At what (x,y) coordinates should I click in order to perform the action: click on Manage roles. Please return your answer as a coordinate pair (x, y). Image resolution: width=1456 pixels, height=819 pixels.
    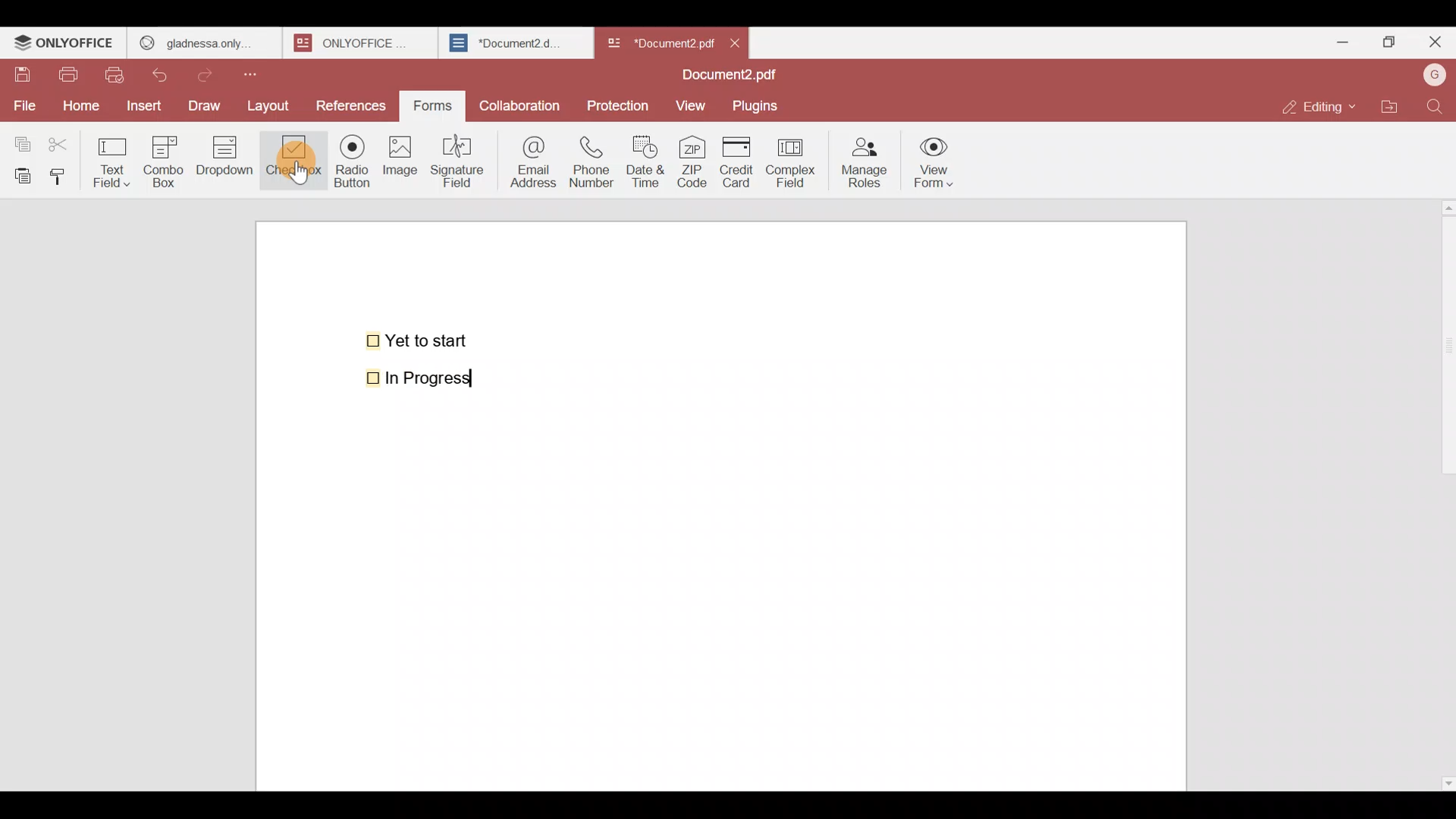
    Looking at the image, I should click on (864, 158).